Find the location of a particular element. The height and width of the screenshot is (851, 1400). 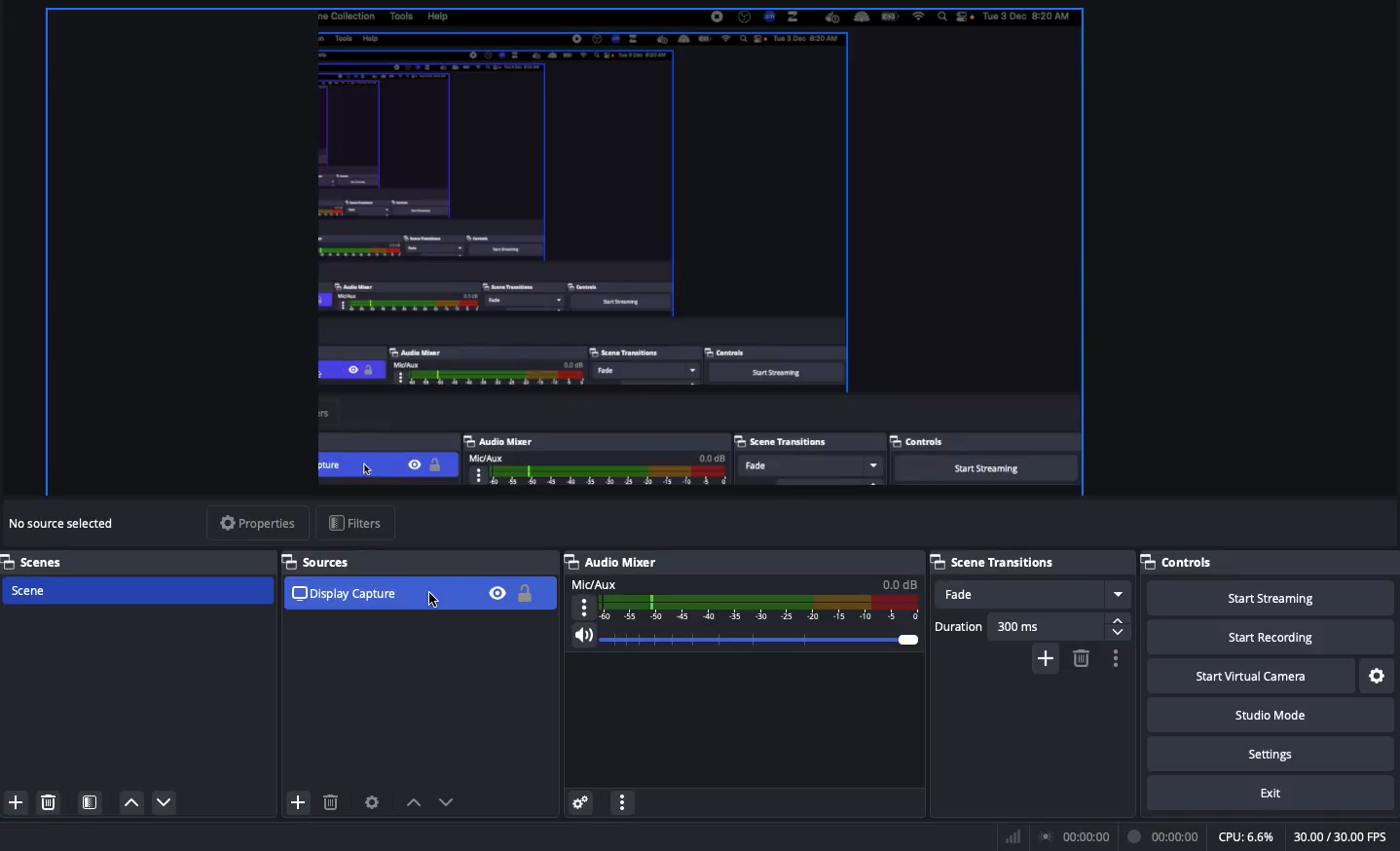

delete is located at coordinates (1079, 659).